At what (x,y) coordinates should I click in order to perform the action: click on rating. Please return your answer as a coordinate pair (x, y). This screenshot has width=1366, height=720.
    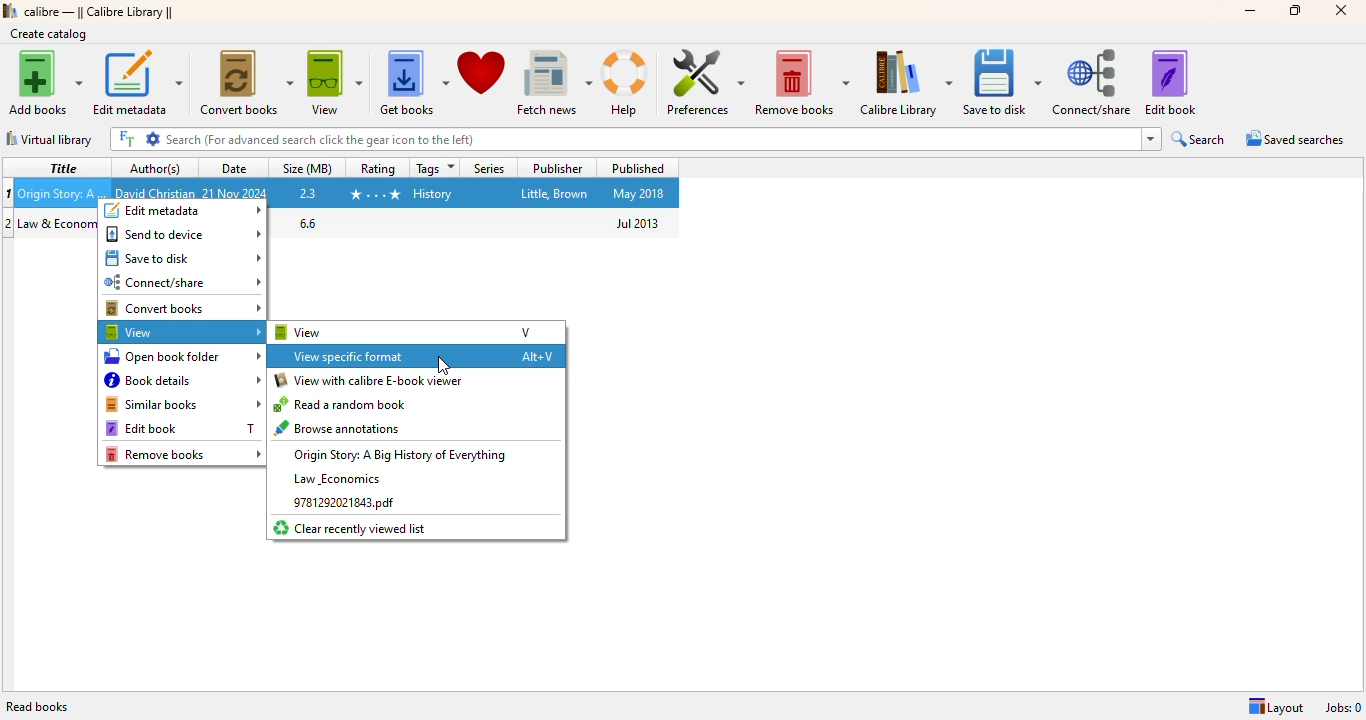
    Looking at the image, I should click on (377, 167).